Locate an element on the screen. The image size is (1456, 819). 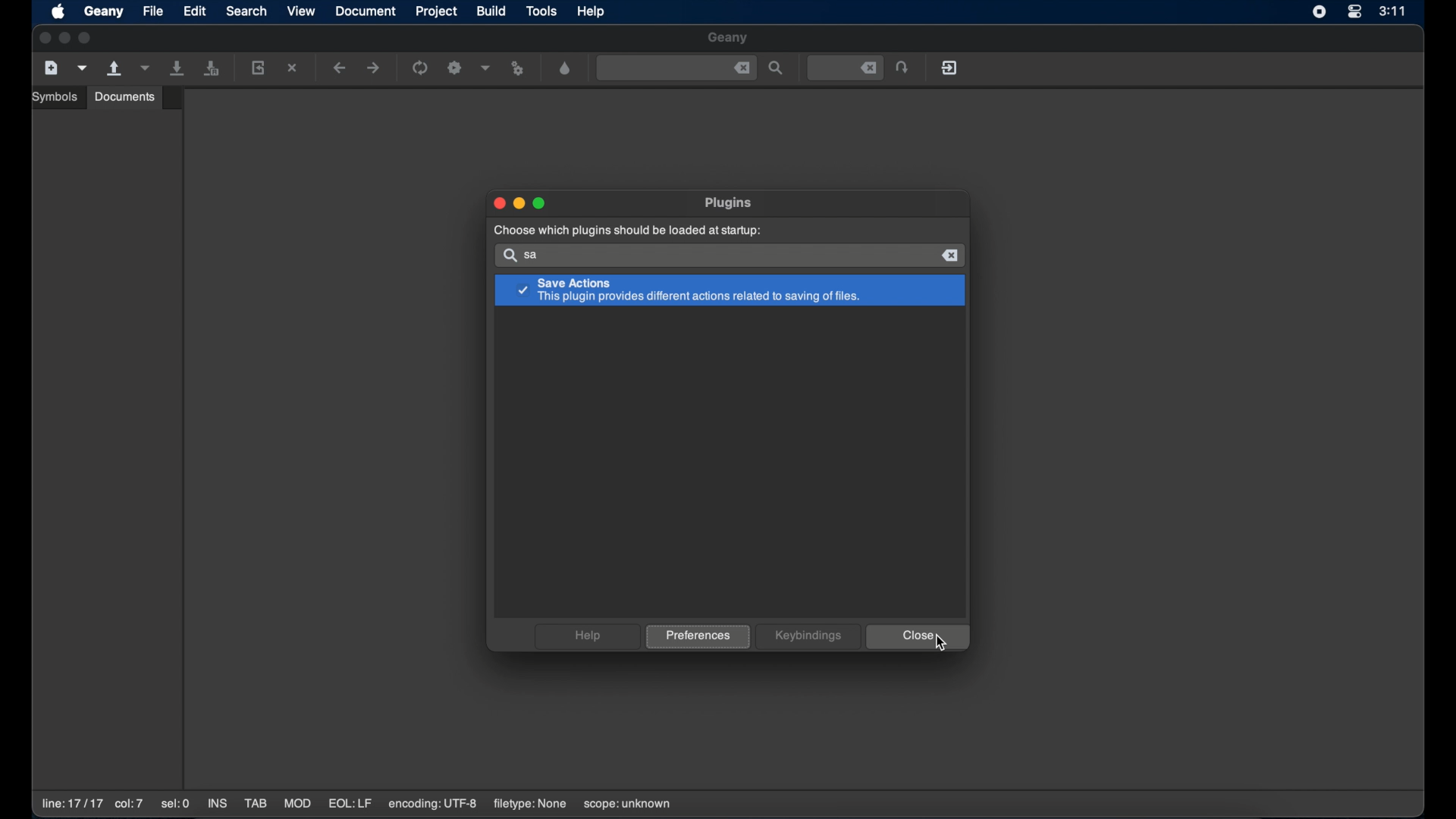
reload the current file is located at coordinates (259, 67).